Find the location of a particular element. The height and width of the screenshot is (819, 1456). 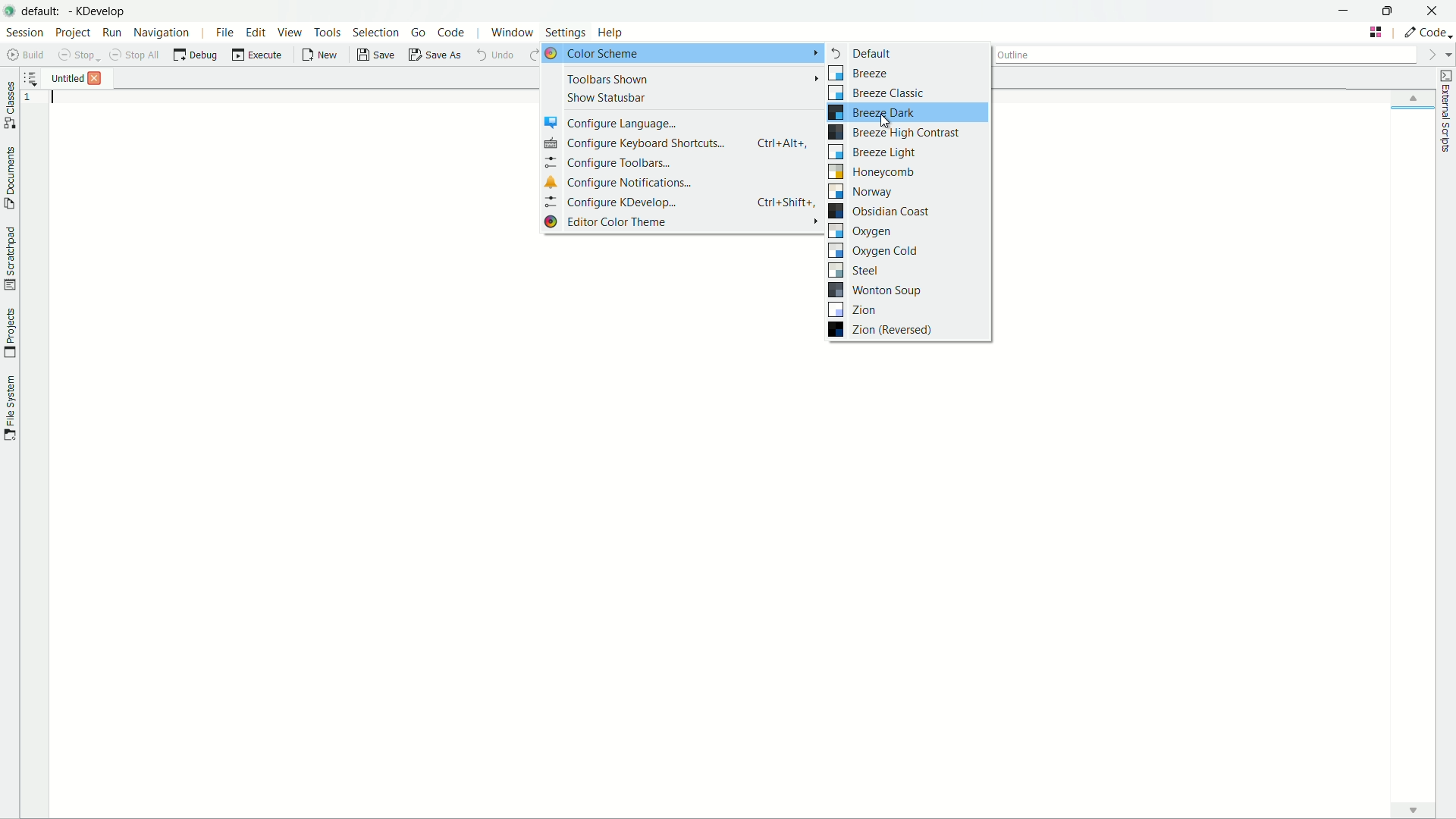

toggle scratchpad is located at coordinates (11, 260).